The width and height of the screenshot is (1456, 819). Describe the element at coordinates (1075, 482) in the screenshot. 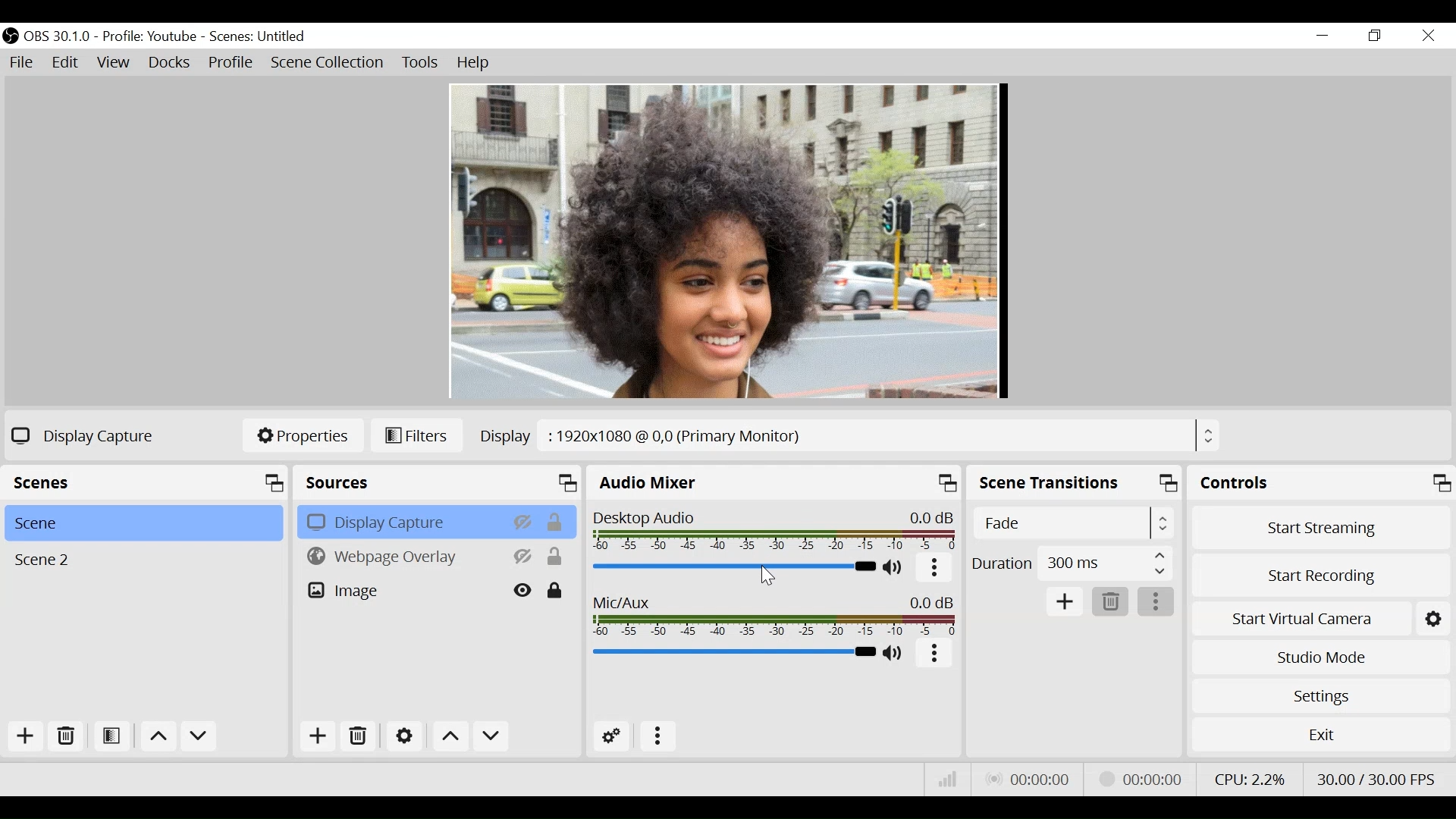

I see `Scene Transition Panel` at that location.